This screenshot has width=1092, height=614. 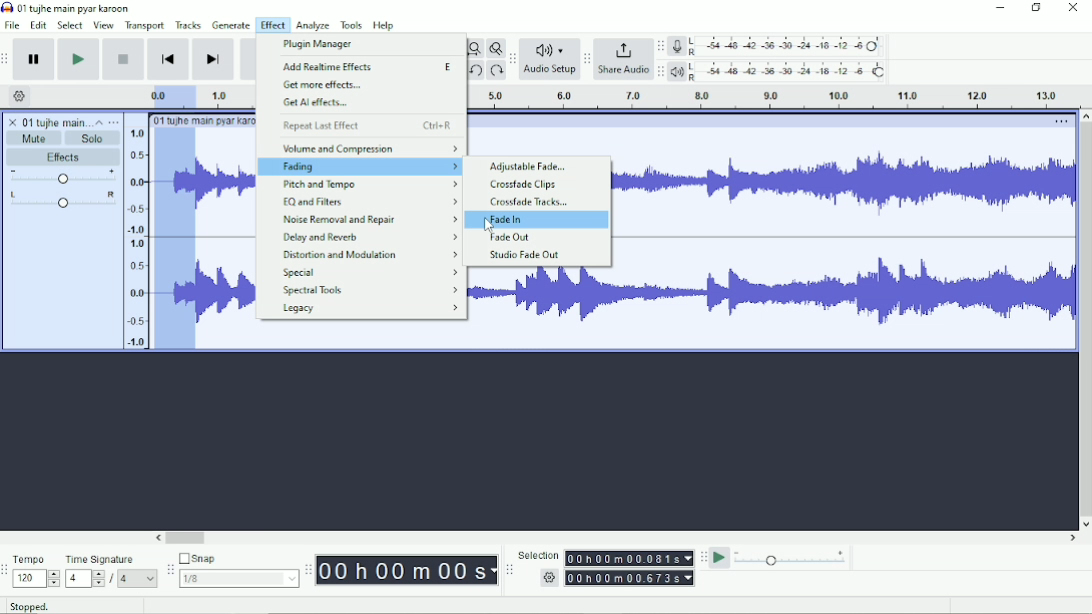 I want to click on Fading, so click(x=361, y=168).